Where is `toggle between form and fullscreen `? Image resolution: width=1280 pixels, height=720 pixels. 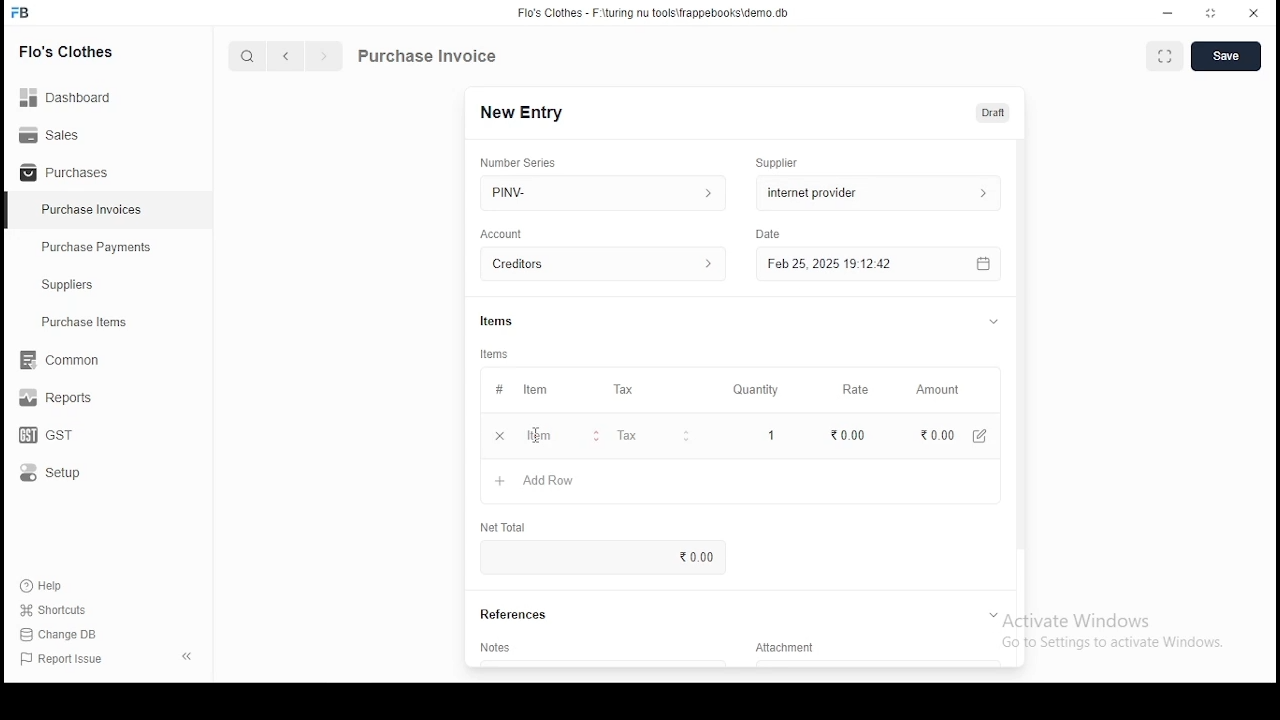 toggle between form and fullscreen  is located at coordinates (1166, 58).